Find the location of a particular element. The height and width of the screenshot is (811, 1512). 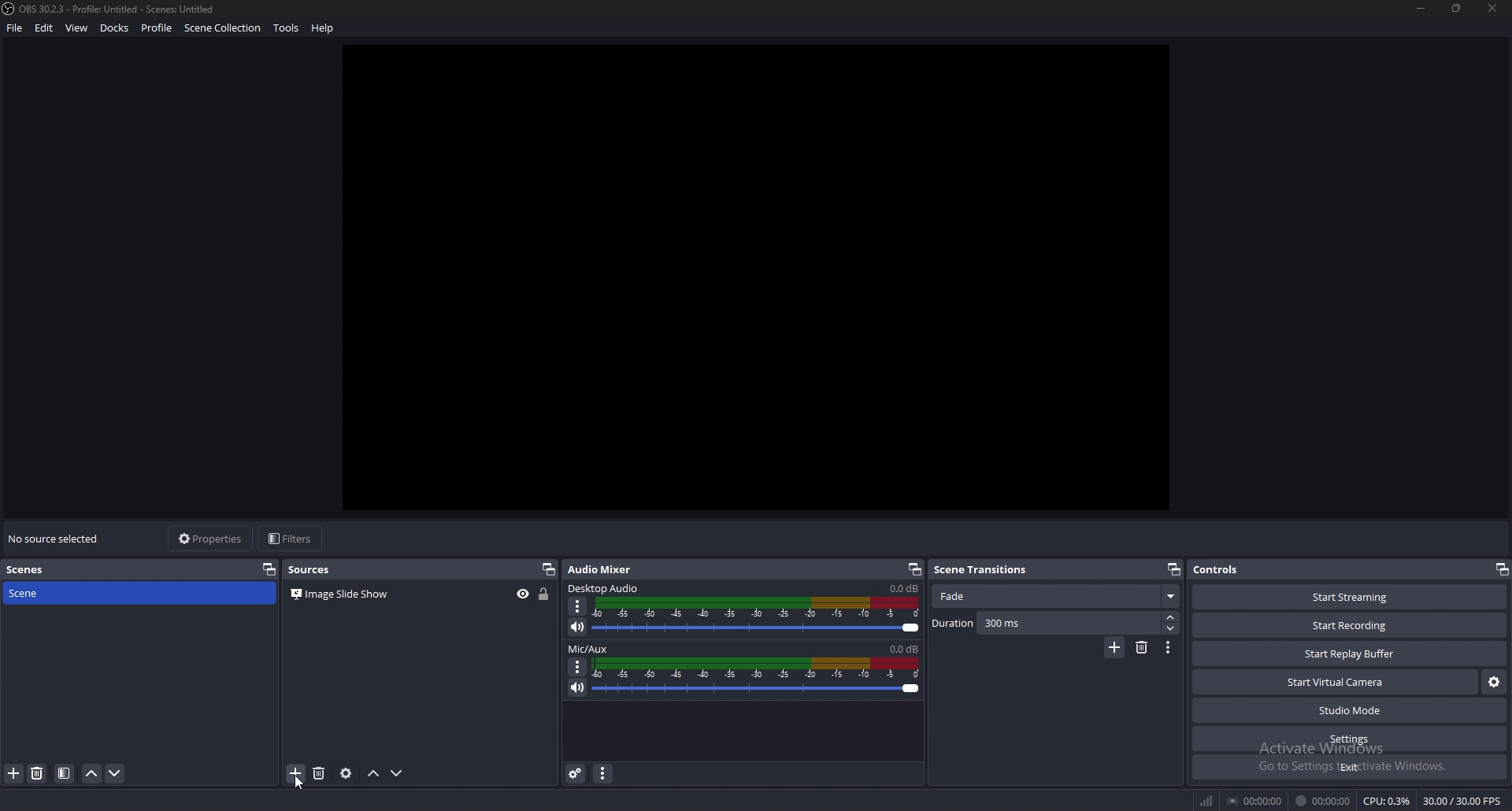

move source up is located at coordinates (374, 774).